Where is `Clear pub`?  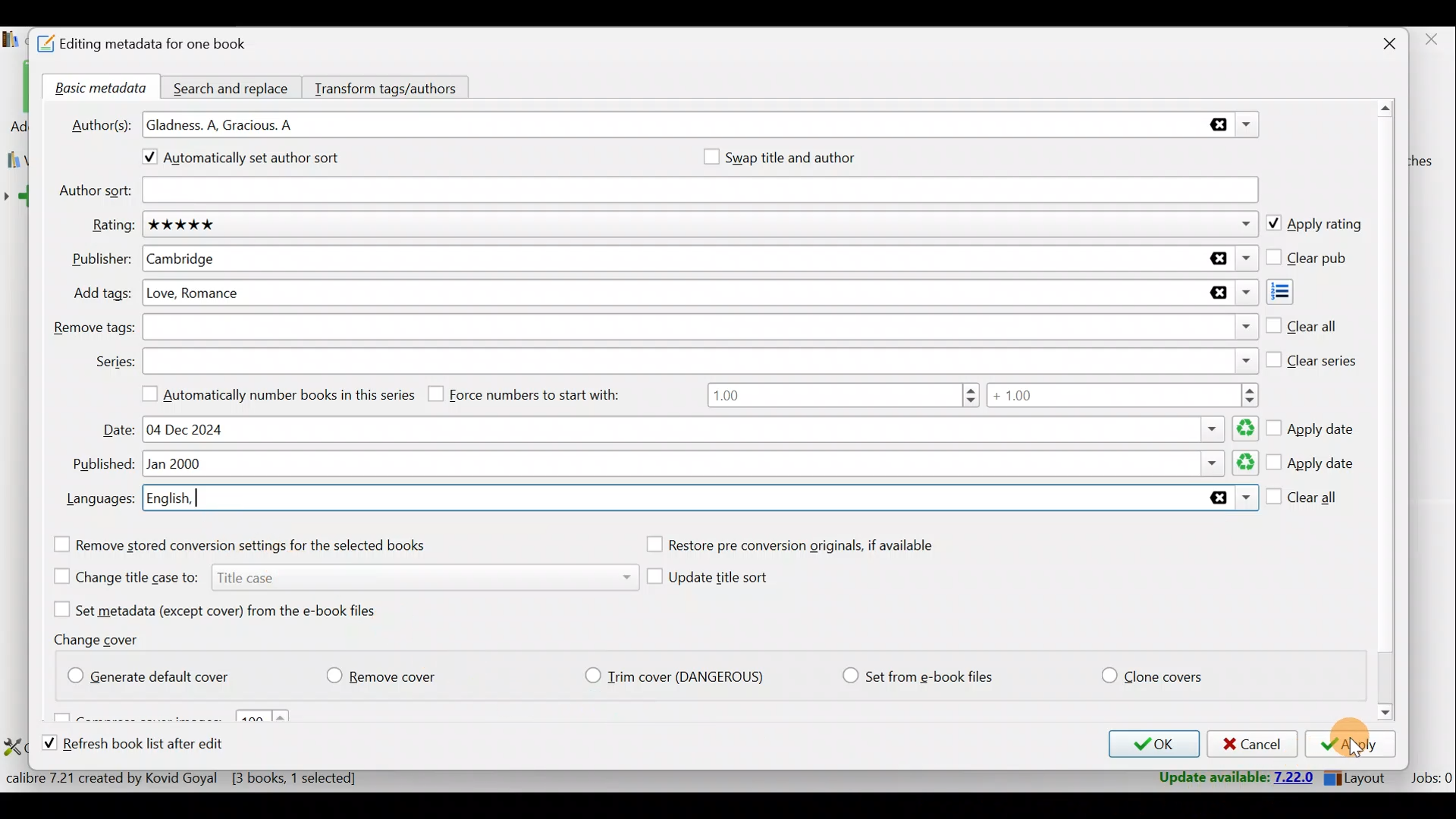
Clear pub is located at coordinates (1310, 259).